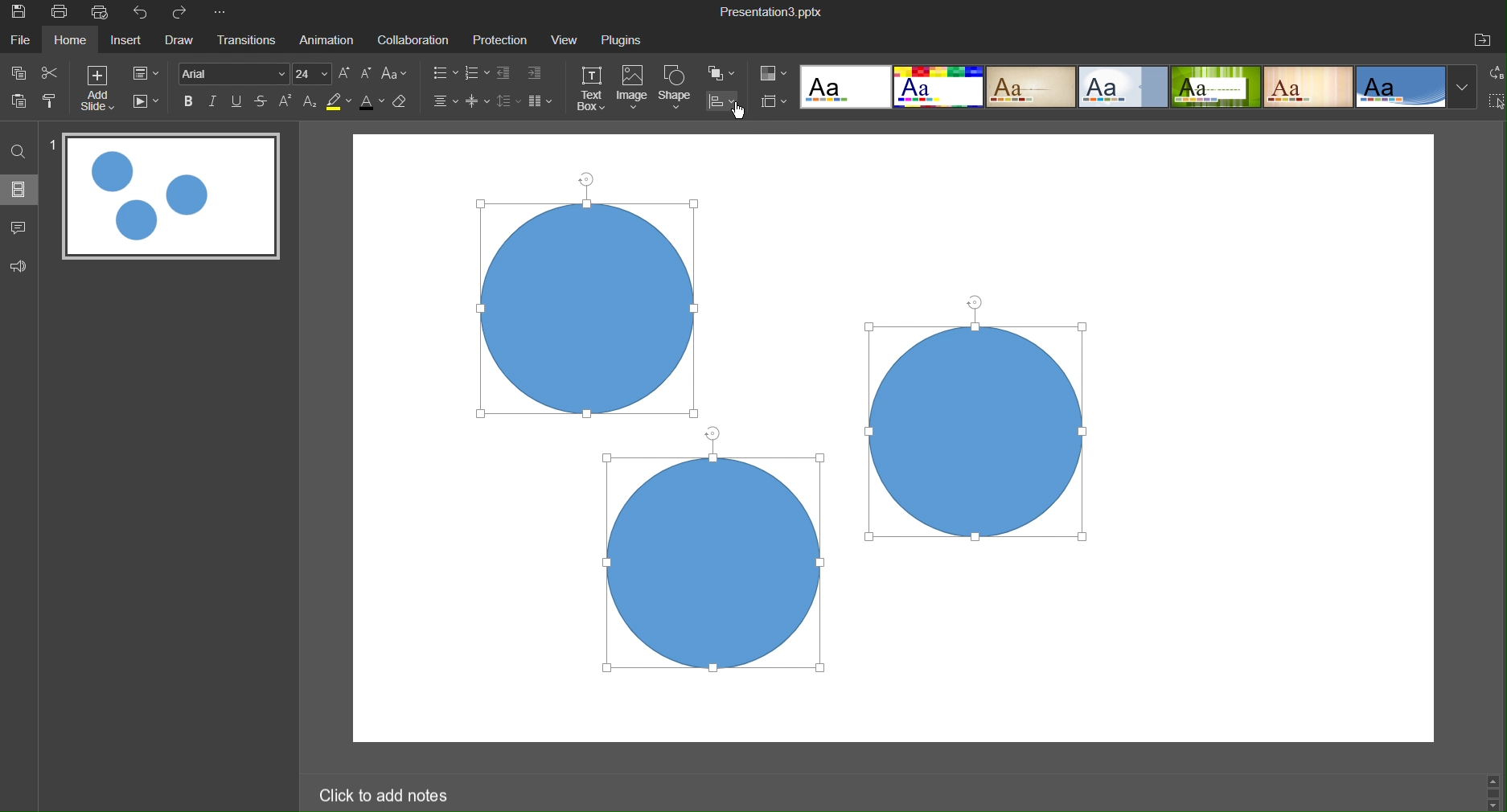  I want to click on Draw, so click(183, 42).